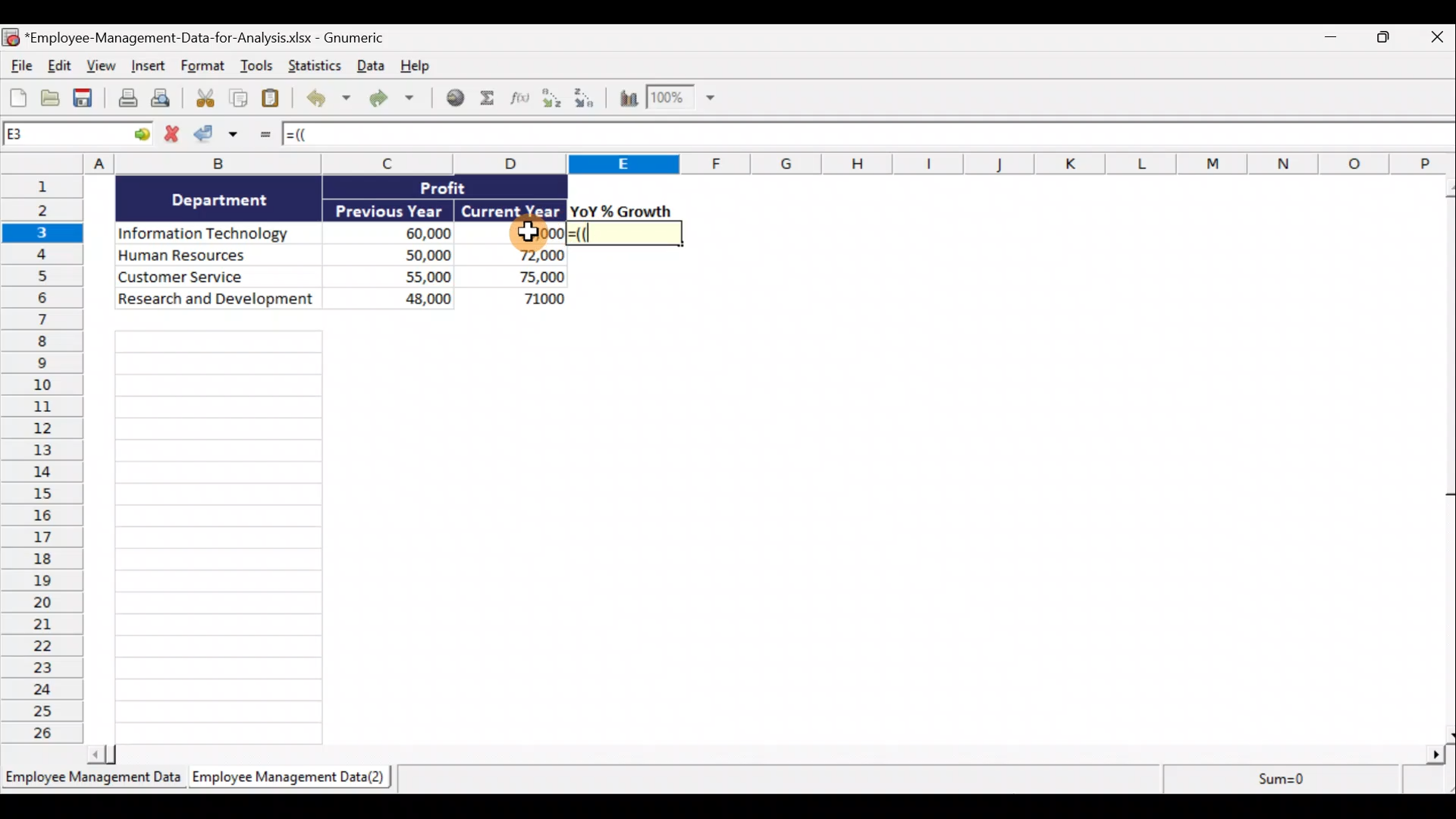 This screenshot has width=1456, height=819. What do you see at coordinates (220, 537) in the screenshot?
I see `Cells` at bounding box center [220, 537].